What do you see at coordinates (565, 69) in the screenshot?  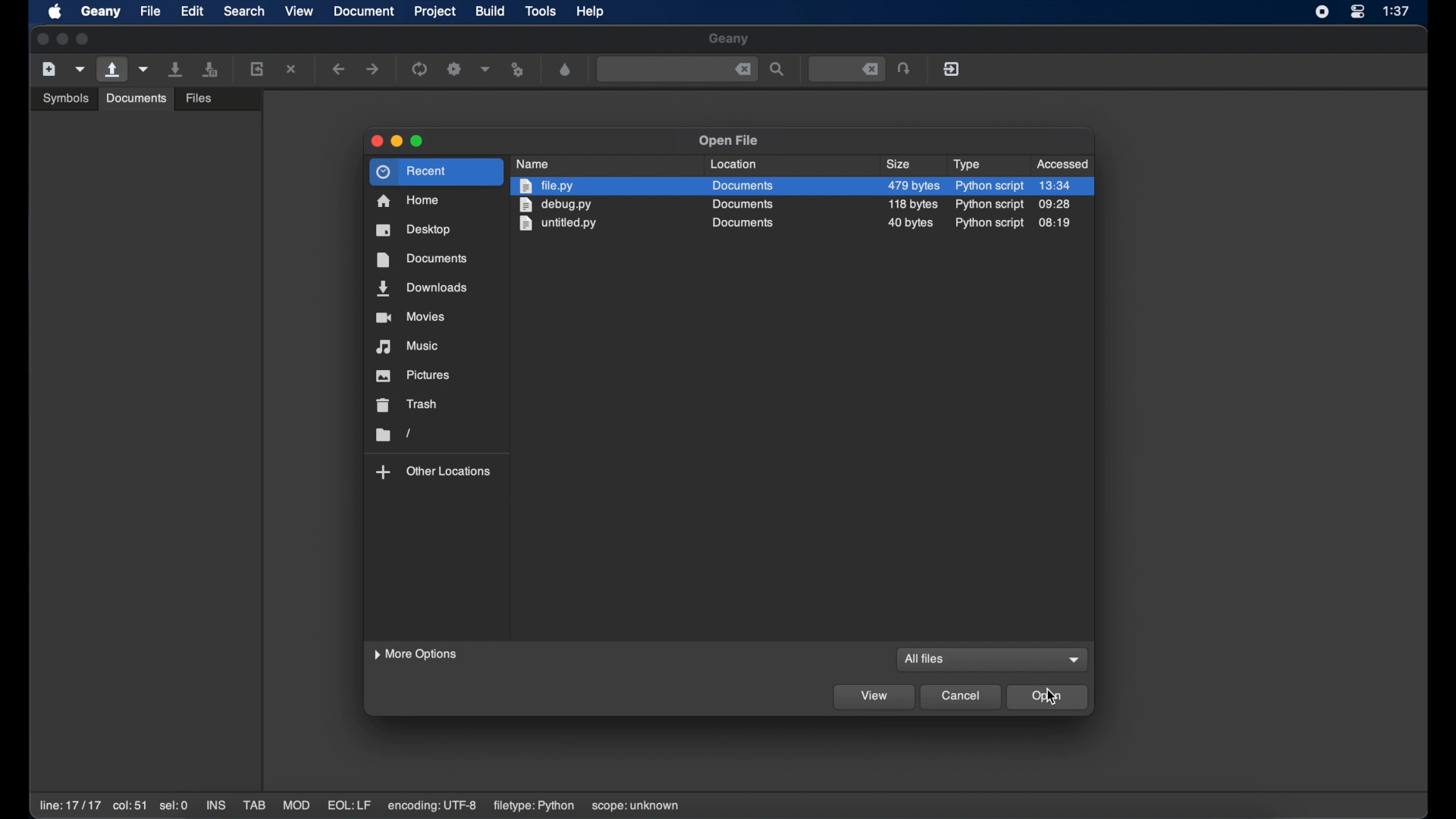 I see `color chooser dialog` at bounding box center [565, 69].